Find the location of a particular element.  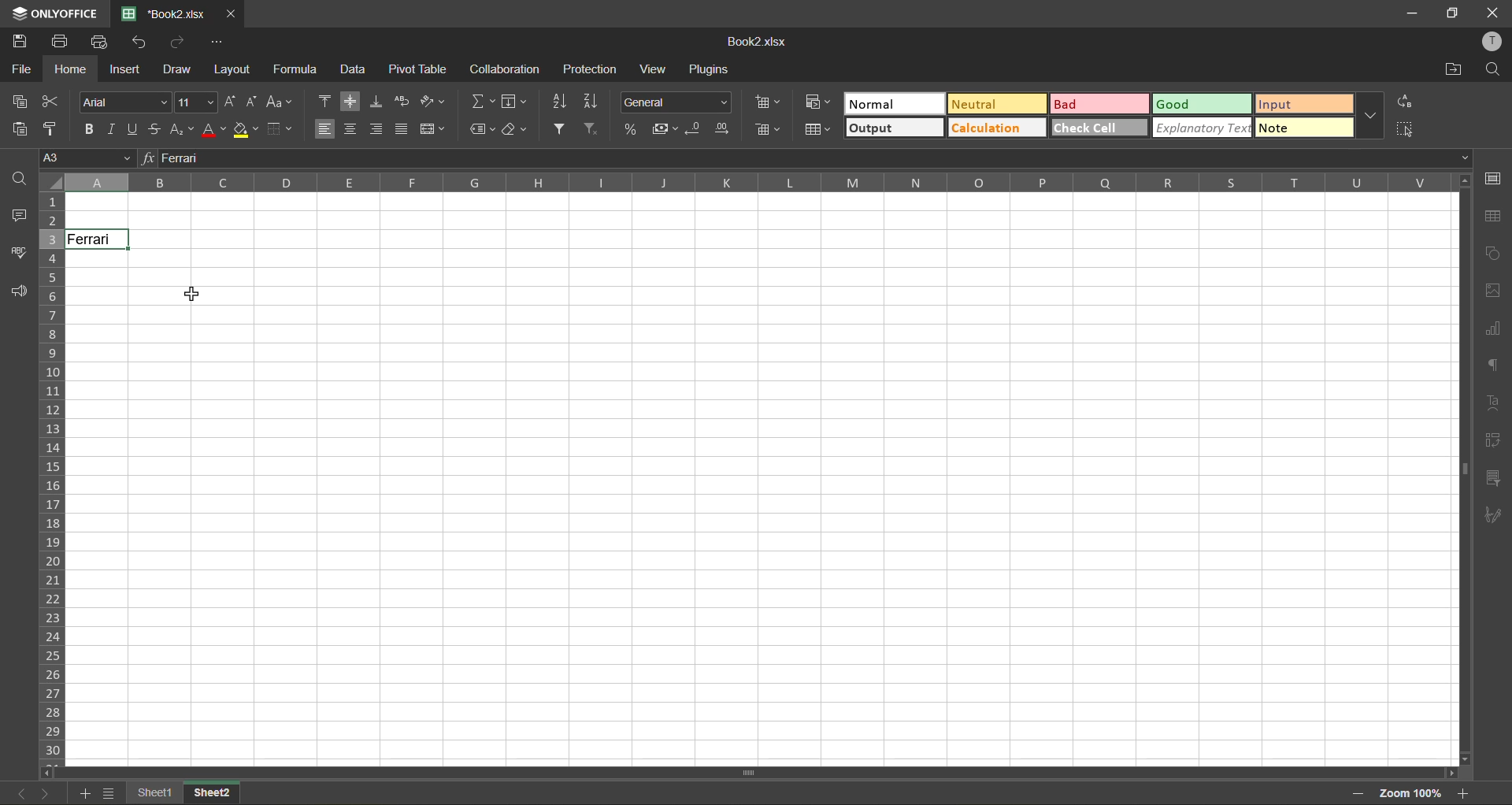

align bottom is located at coordinates (377, 101).